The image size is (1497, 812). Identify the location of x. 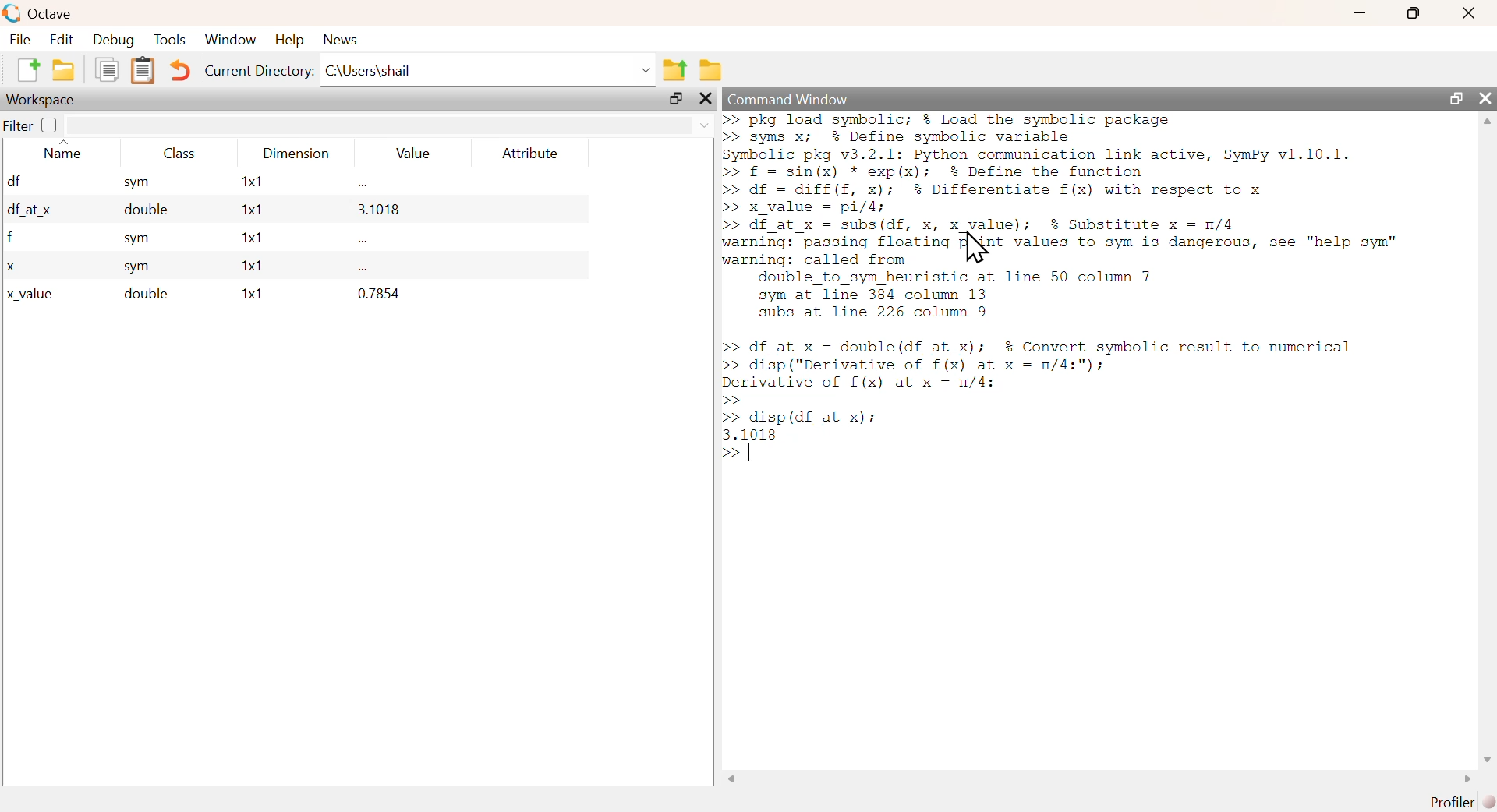
(11, 267).